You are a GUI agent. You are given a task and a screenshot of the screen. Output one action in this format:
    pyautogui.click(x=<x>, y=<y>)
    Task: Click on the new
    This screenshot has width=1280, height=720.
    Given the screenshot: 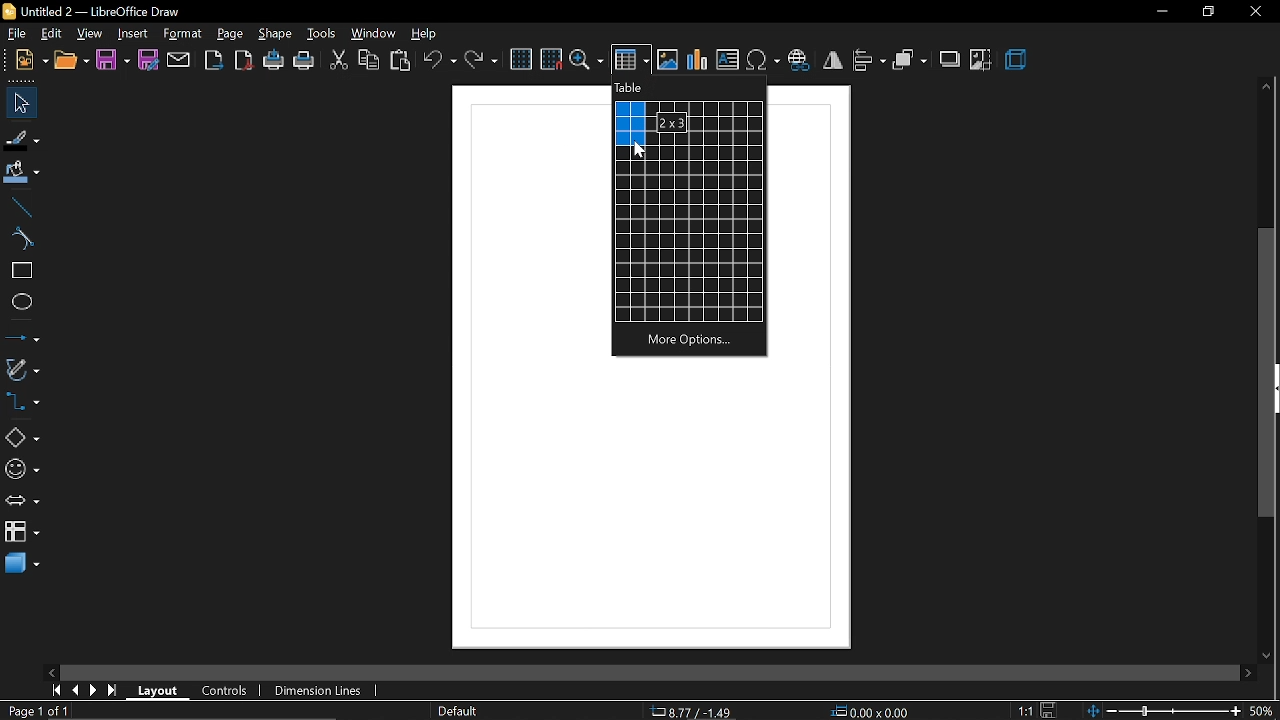 What is the action you would take?
    pyautogui.click(x=32, y=60)
    